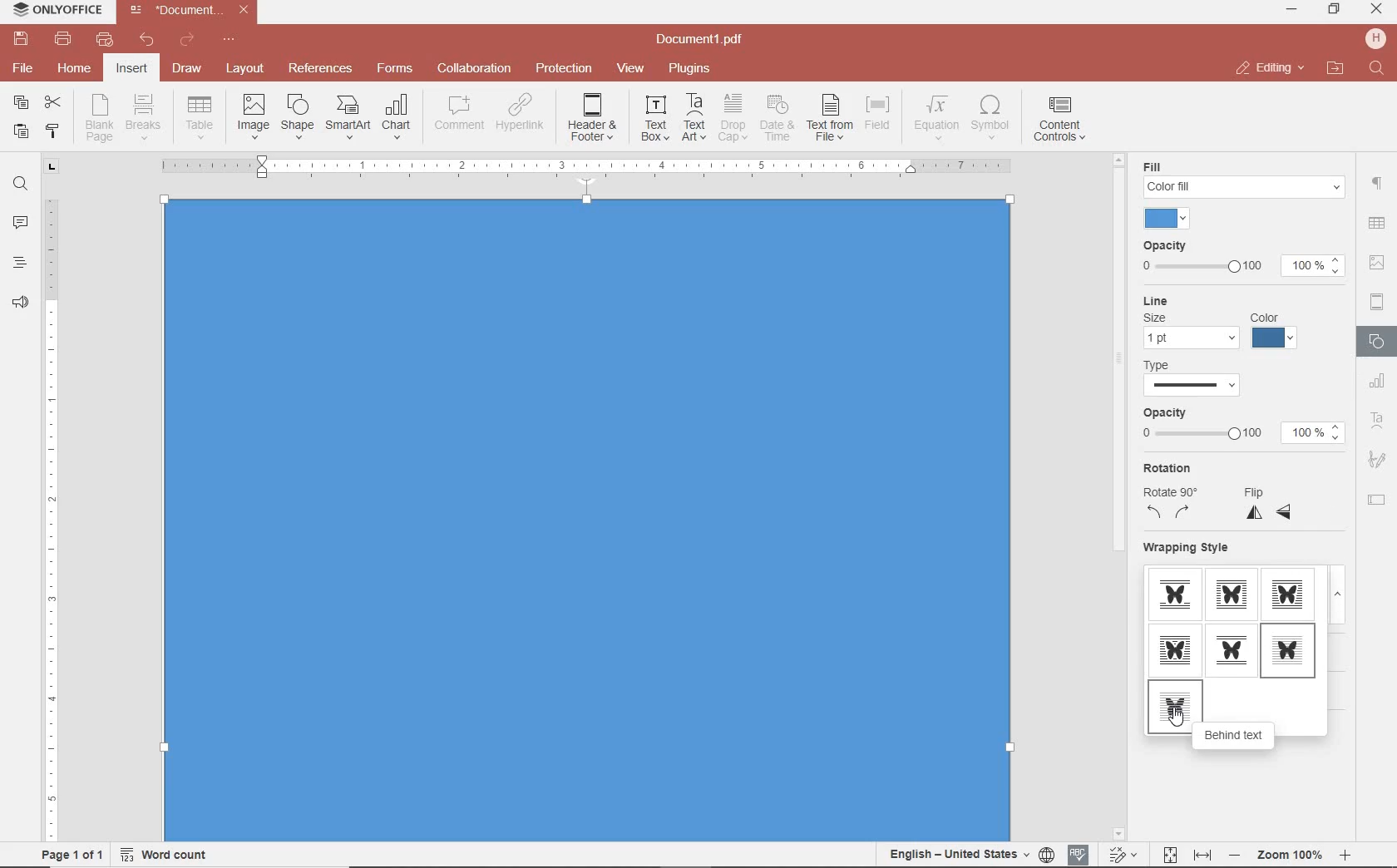 This screenshot has height=868, width=1397. Describe the element at coordinates (693, 69) in the screenshot. I see `plugins` at that location.